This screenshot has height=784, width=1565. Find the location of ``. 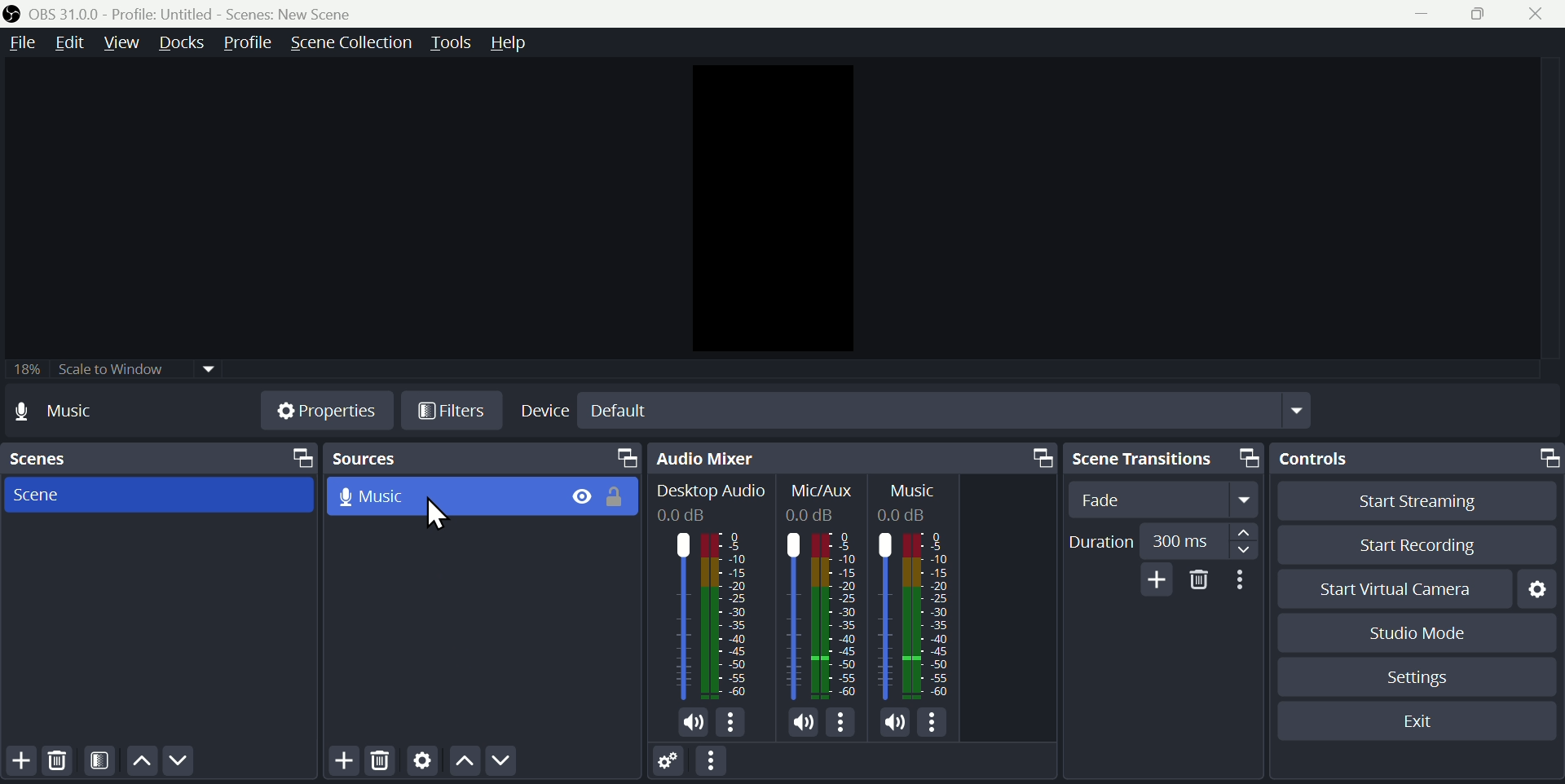

 is located at coordinates (911, 614).